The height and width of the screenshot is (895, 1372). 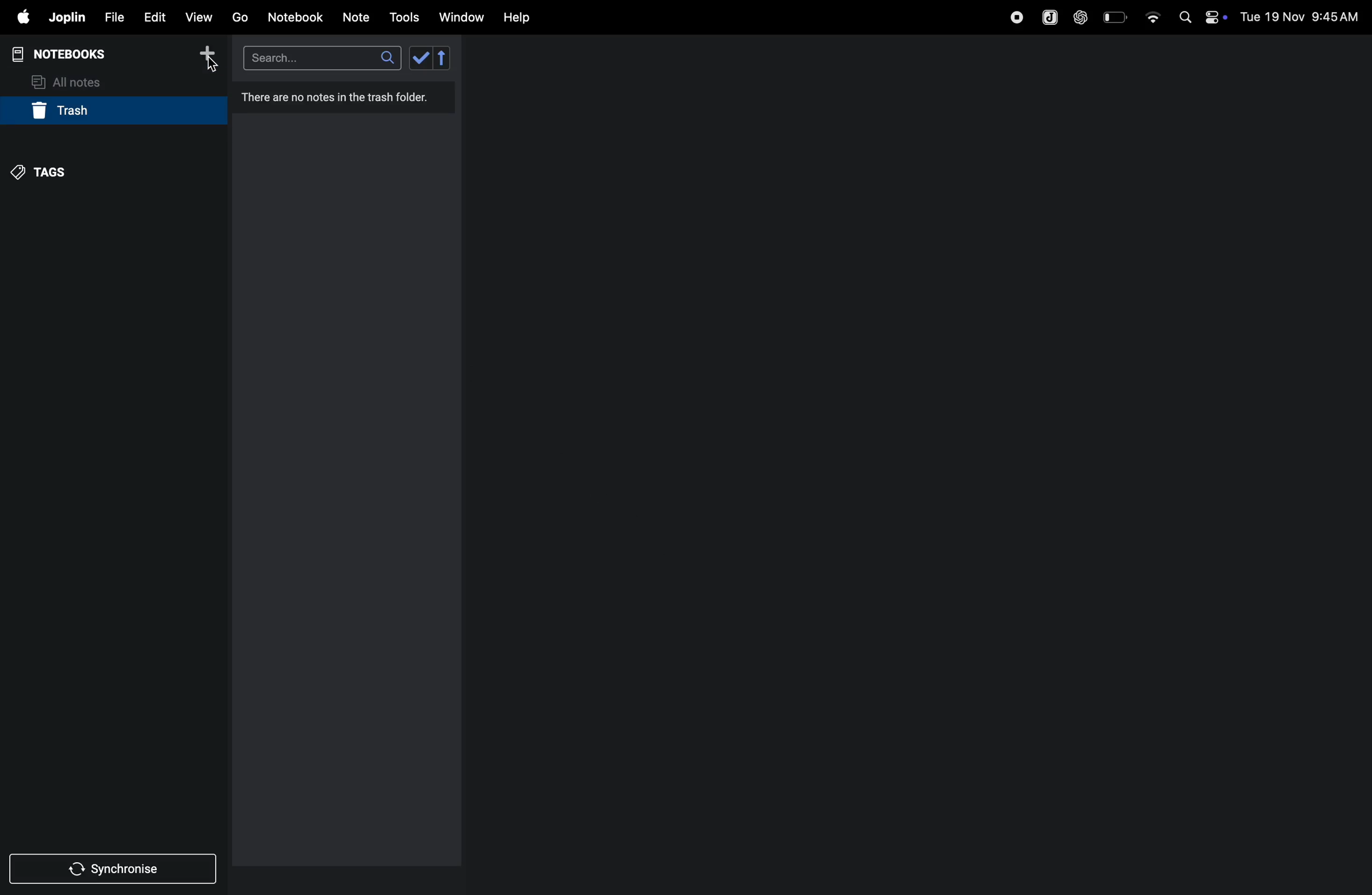 I want to click on battery, so click(x=1116, y=16).